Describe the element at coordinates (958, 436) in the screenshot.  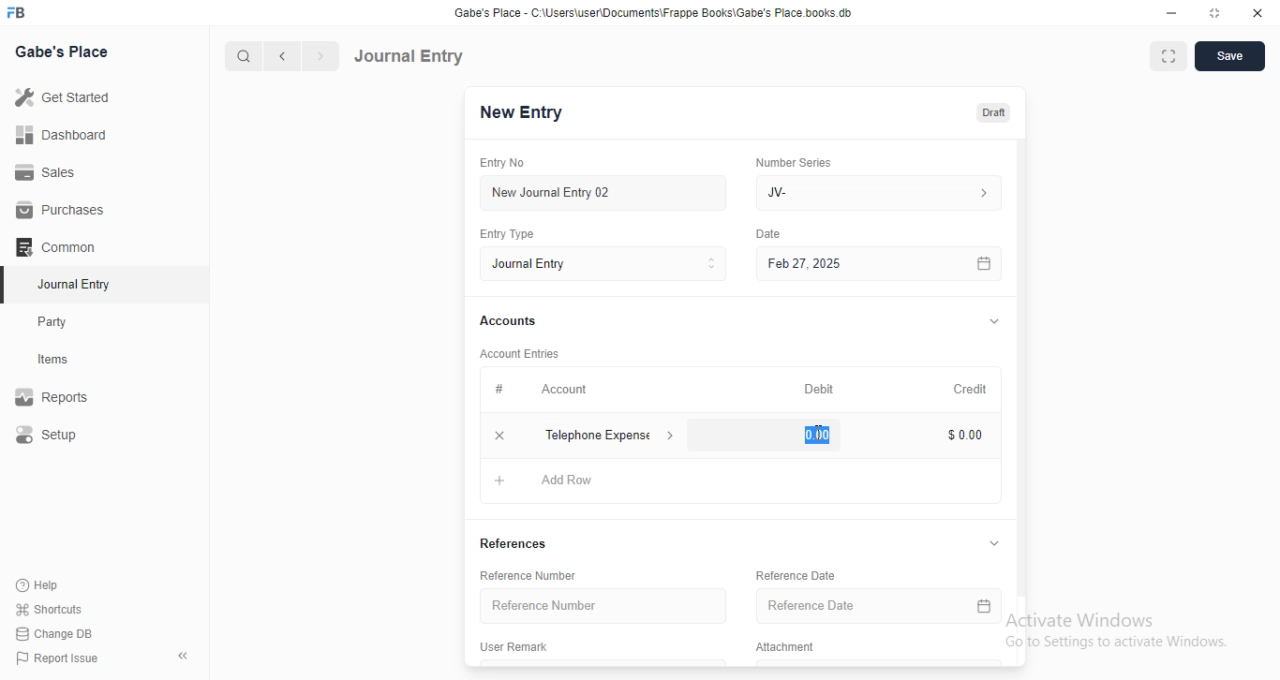
I see `0.00` at that location.